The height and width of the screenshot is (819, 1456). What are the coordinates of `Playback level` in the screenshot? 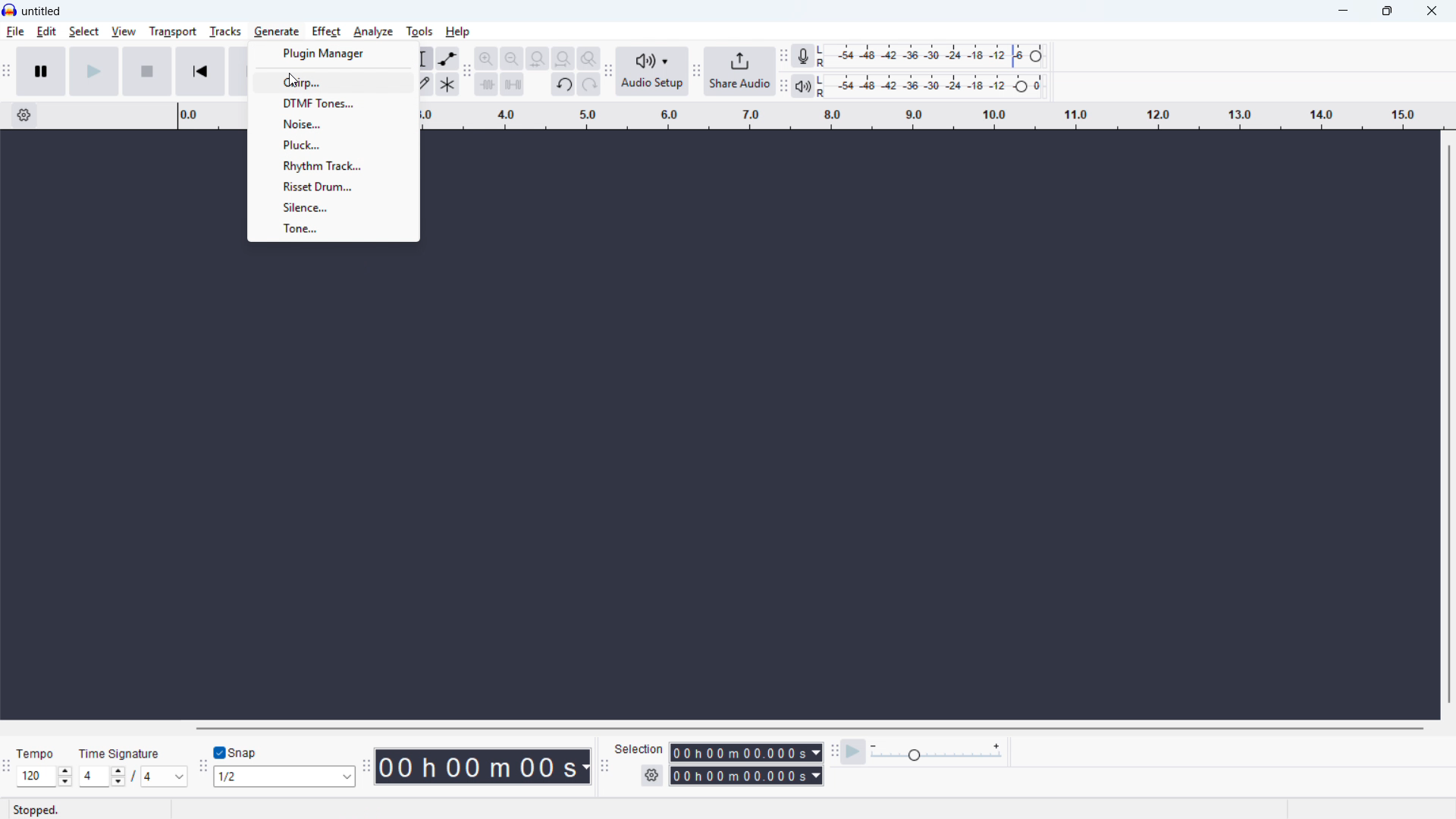 It's located at (934, 86).